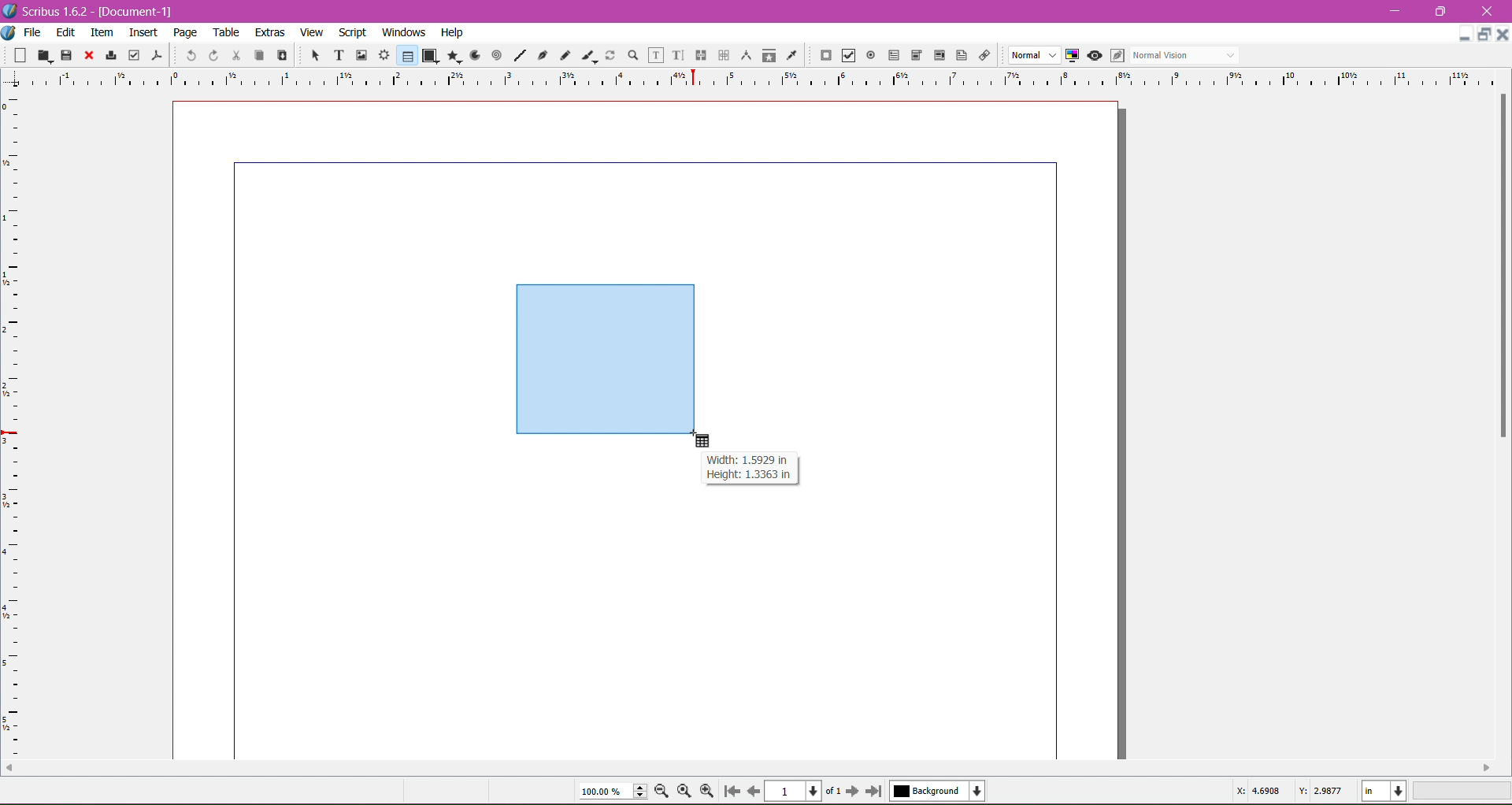 The height and width of the screenshot is (805, 1512). What do you see at coordinates (359, 54) in the screenshot?
I see `Image Frame` at bounding box center [359, 54].